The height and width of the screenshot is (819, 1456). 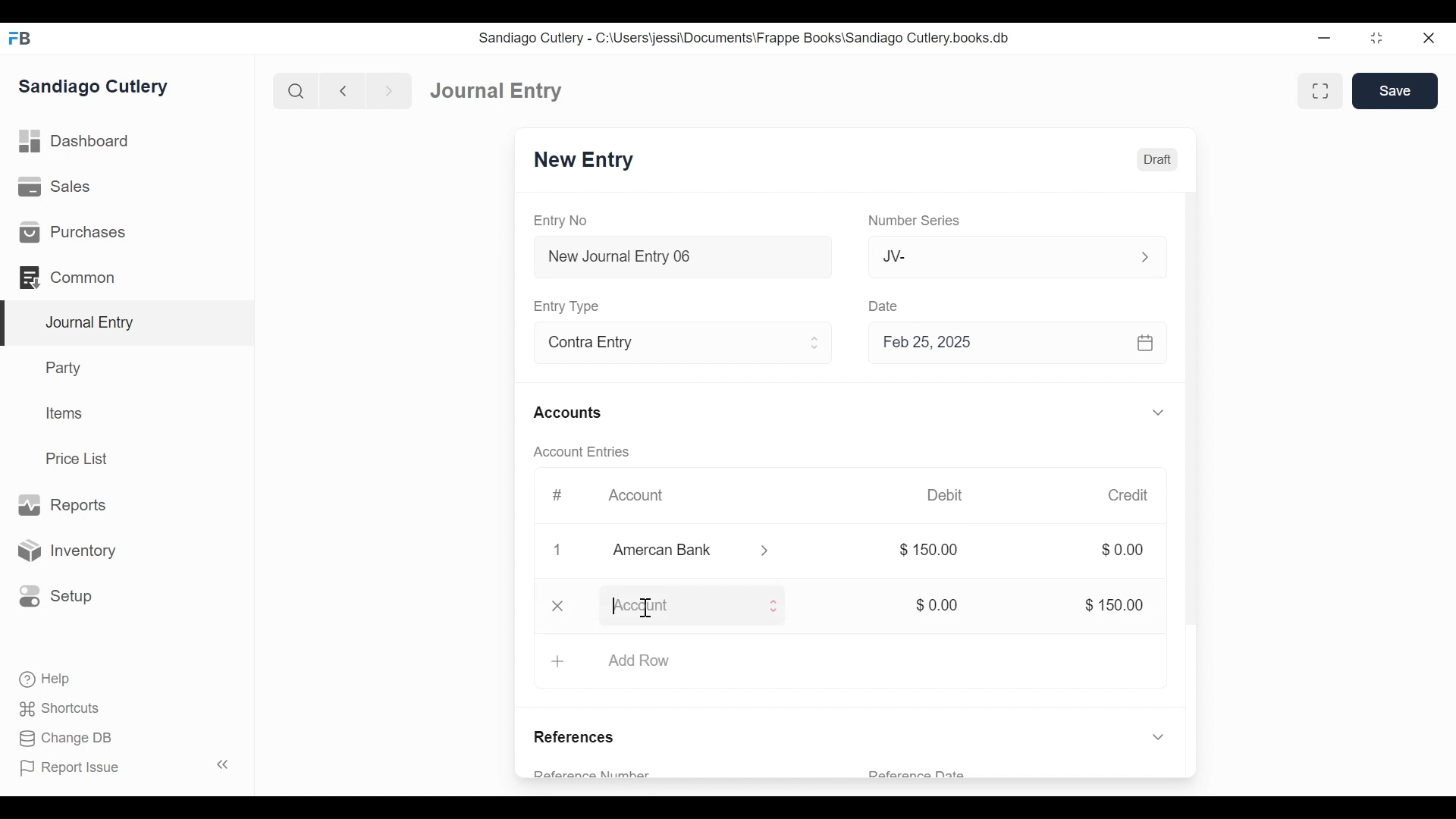 What do you see at coordinates (679, 552) in the screenshot?
I see `Amercan Bank` at bounding box center [679, 552].